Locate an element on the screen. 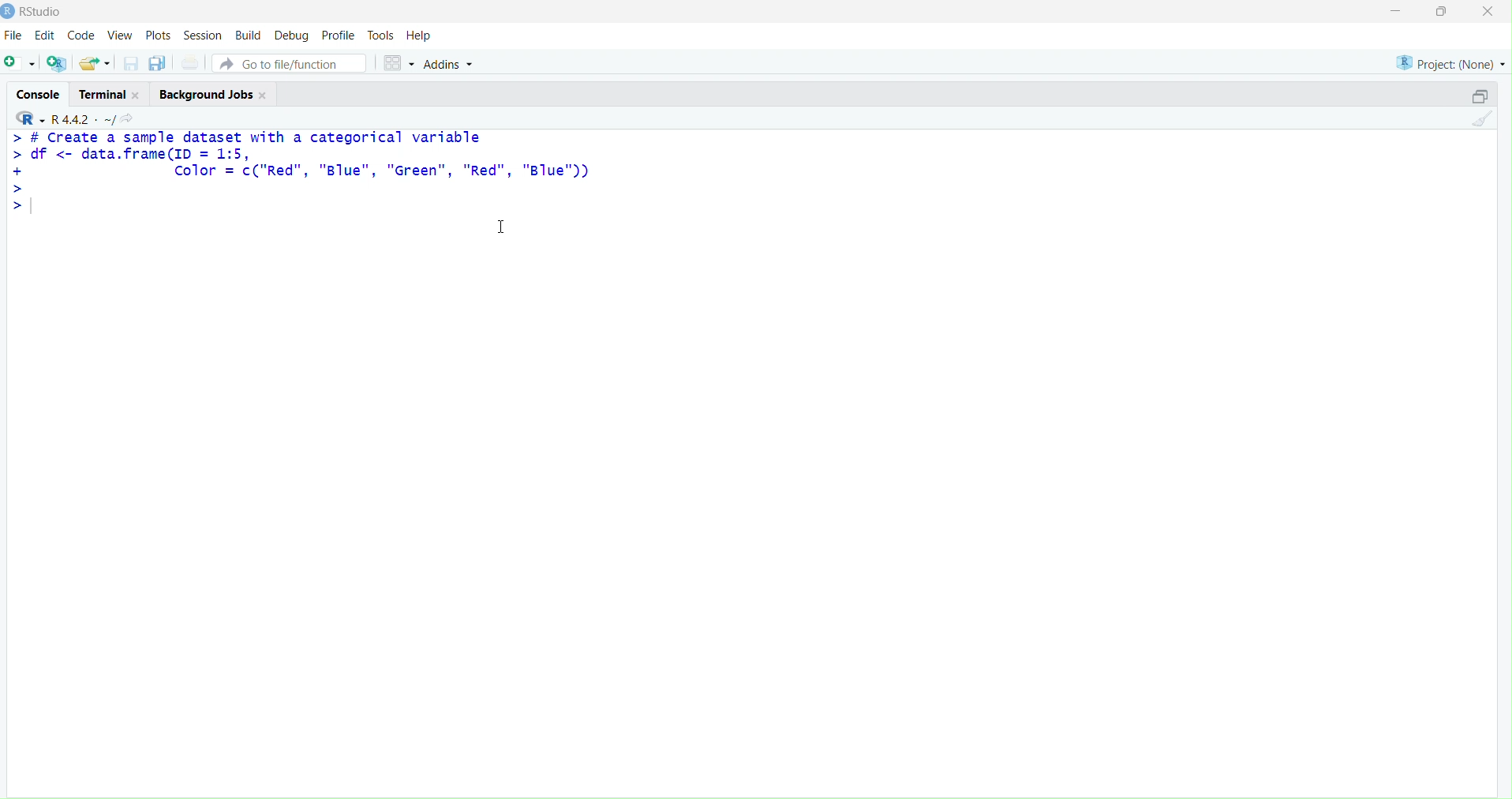 The height and width of the screenshot is (799, 1512). session is located at coordinates (204, 36).